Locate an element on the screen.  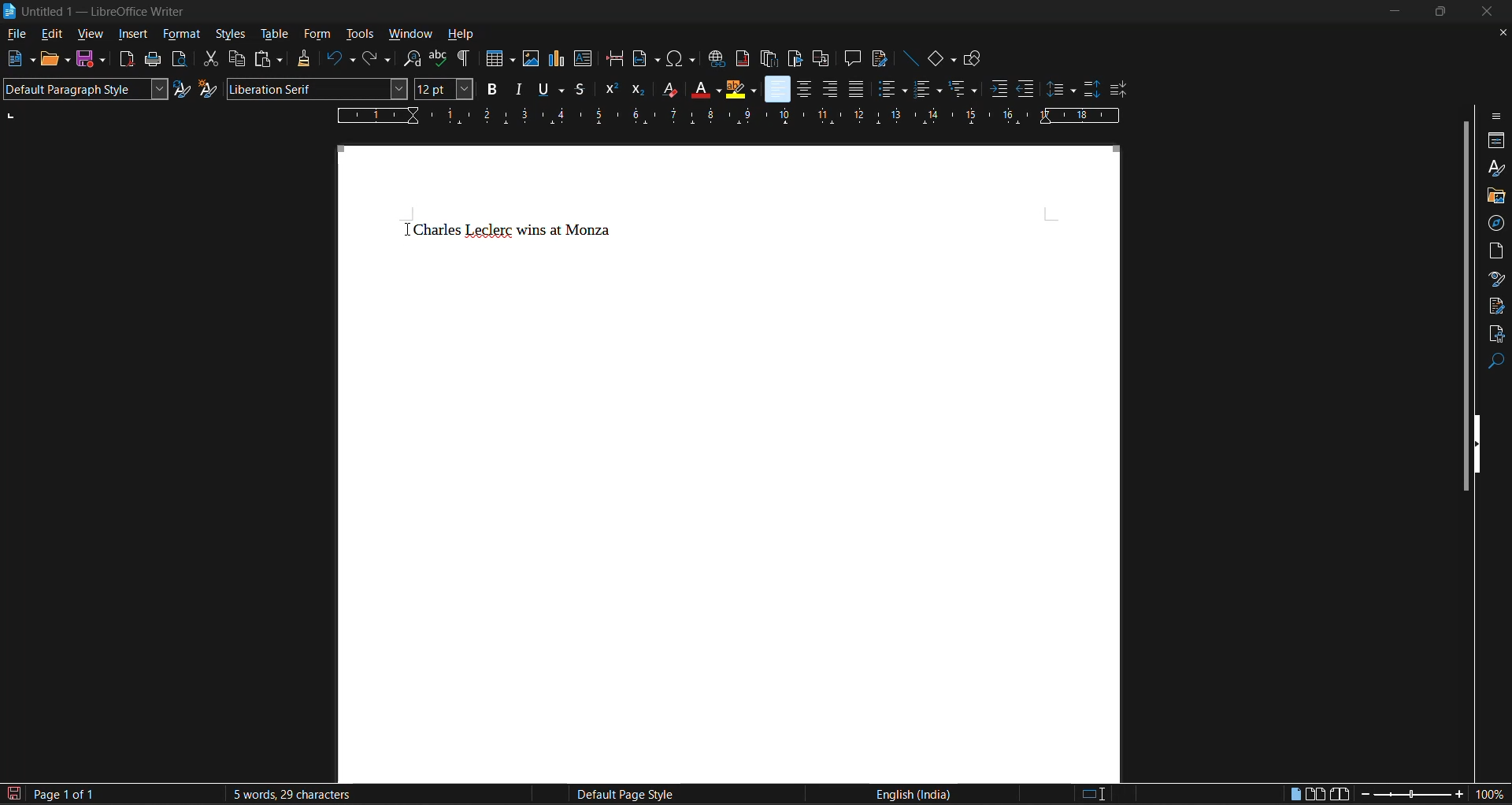
tools is located at coordinates (358, 35).